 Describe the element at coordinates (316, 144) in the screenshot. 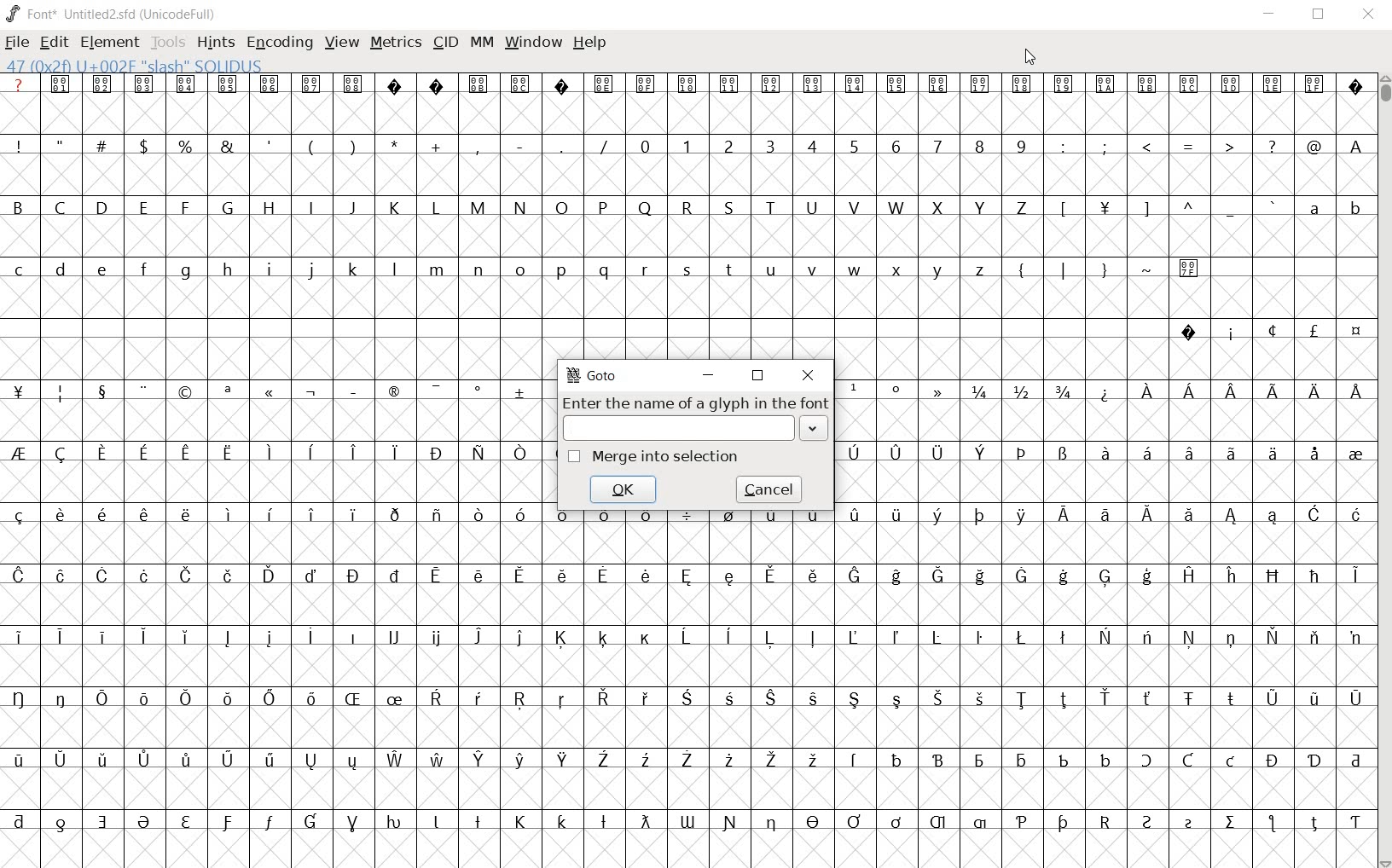

I see `symbols` at that location.